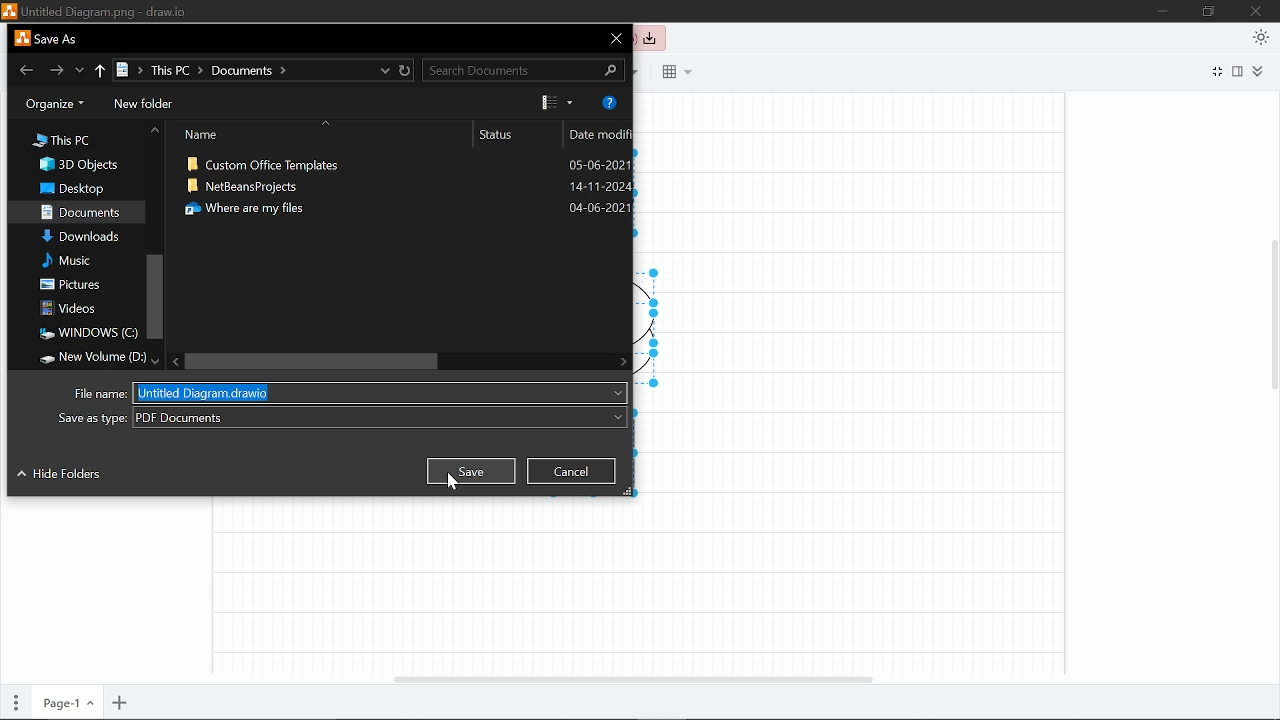 The width and height of the screenshot is (1280, 720). I want to click on Current page, so click(66, 703).